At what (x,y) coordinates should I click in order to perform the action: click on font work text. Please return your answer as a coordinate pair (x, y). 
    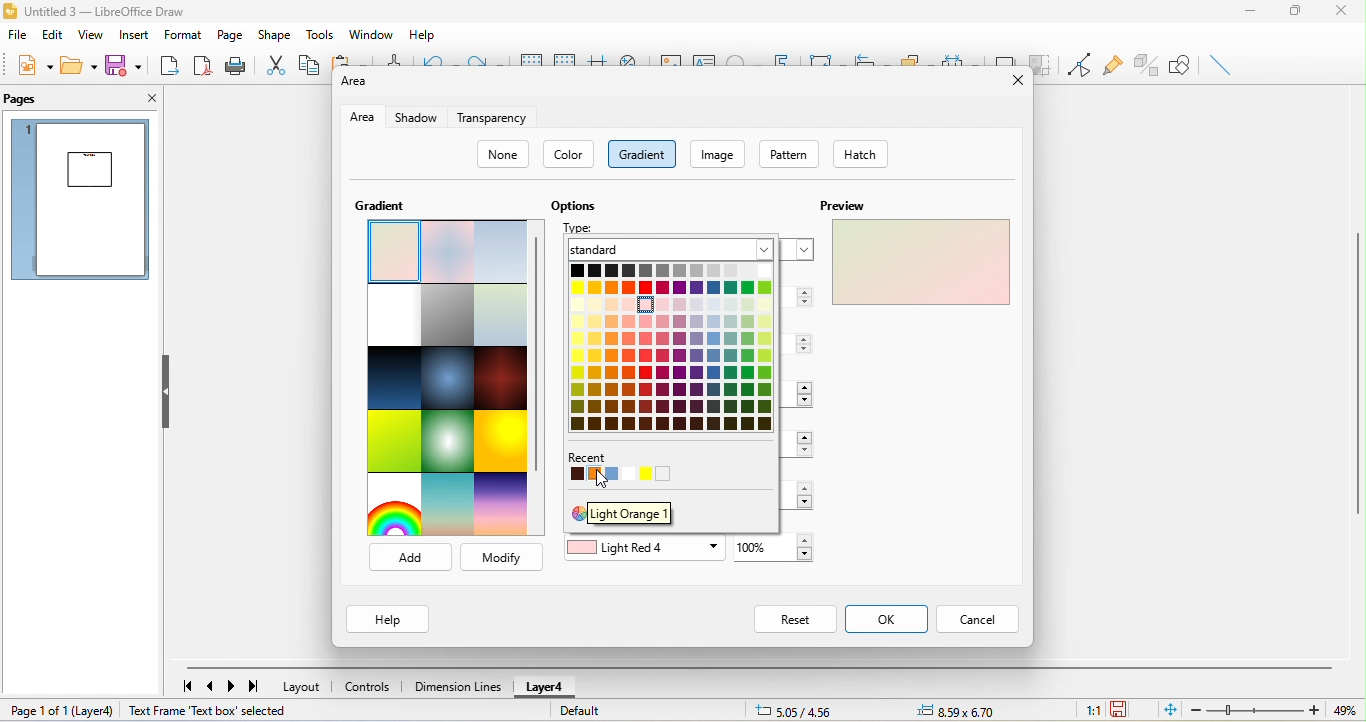
    Looking at the image, I should click on (783, 58).